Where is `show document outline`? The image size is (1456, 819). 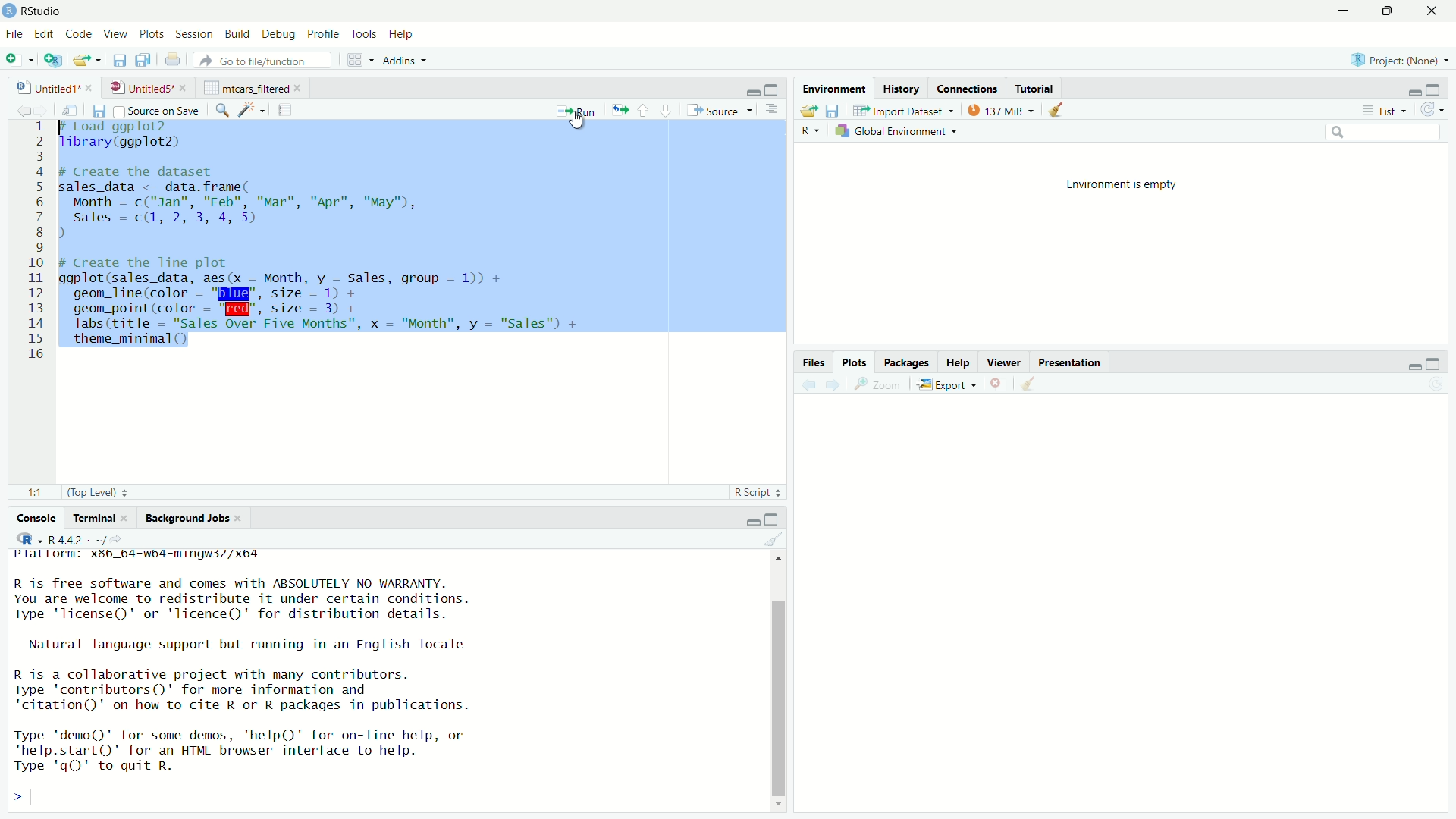 show document outline is located at coordinates (772, 111).